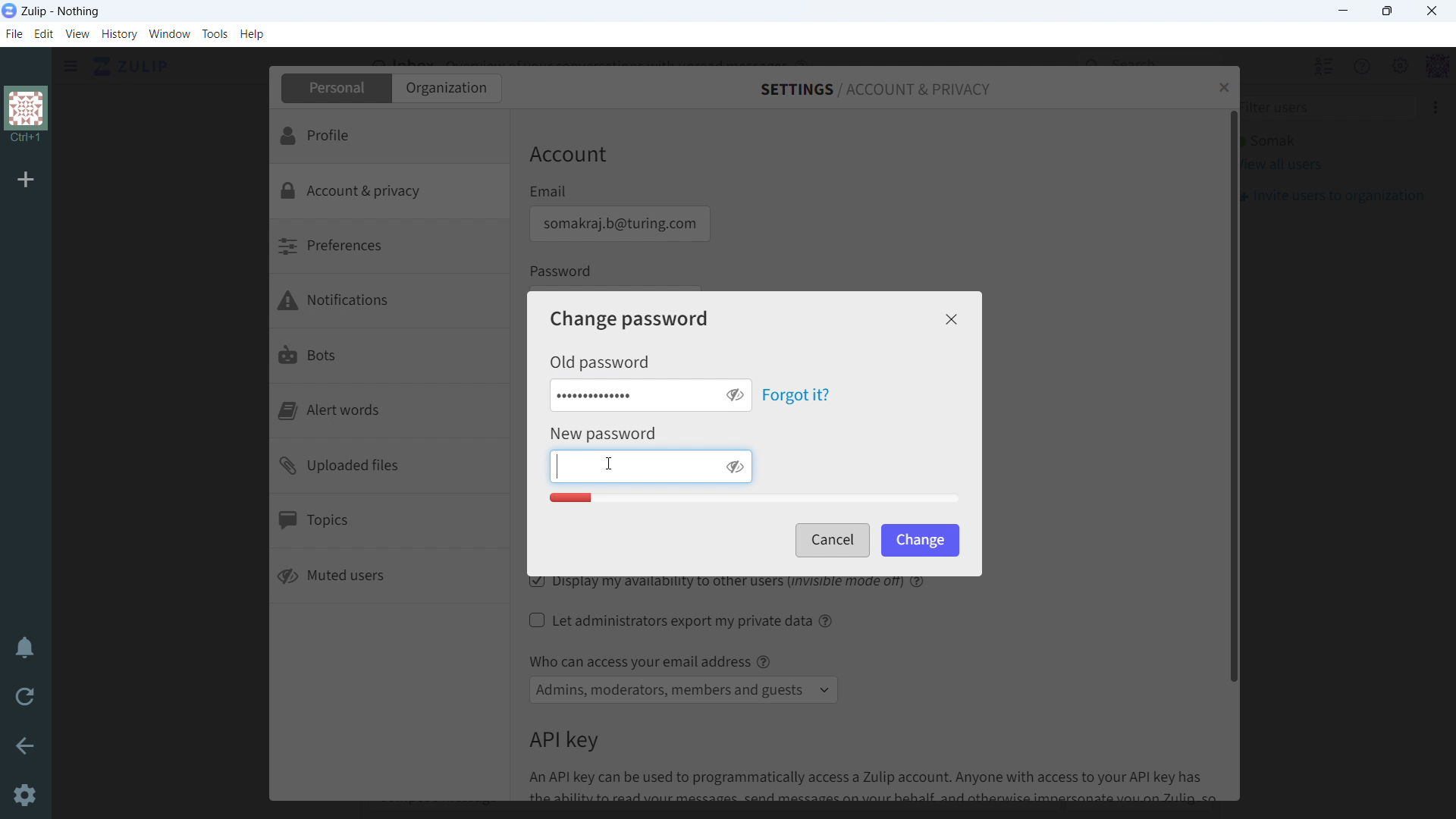 The image size is (1456, 819). What do you see at coordinates (334, 88) in the screenshot?
I see `personal` at bounding box center [334, 88].